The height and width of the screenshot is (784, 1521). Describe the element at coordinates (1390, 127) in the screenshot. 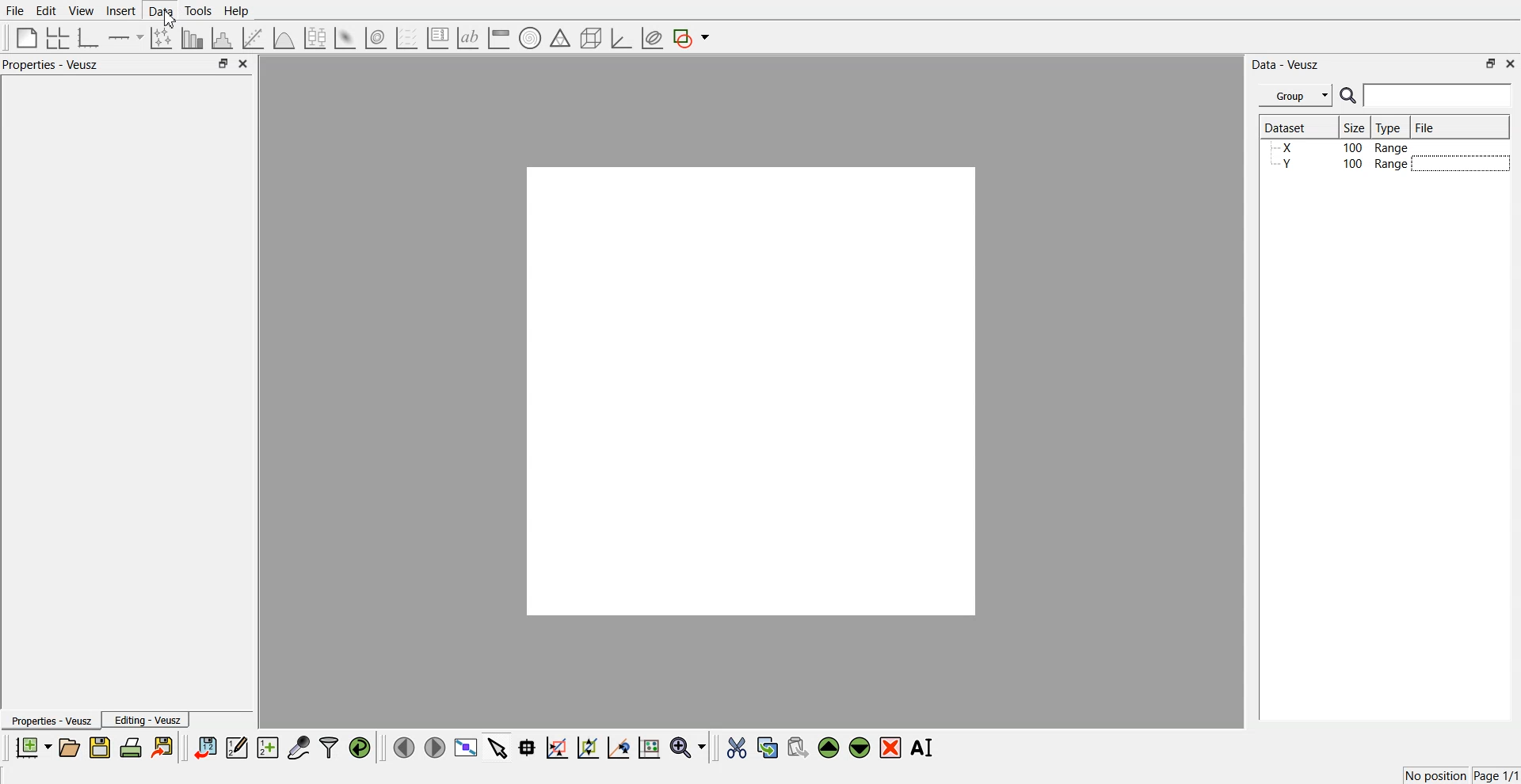

I see `Type` at that location.